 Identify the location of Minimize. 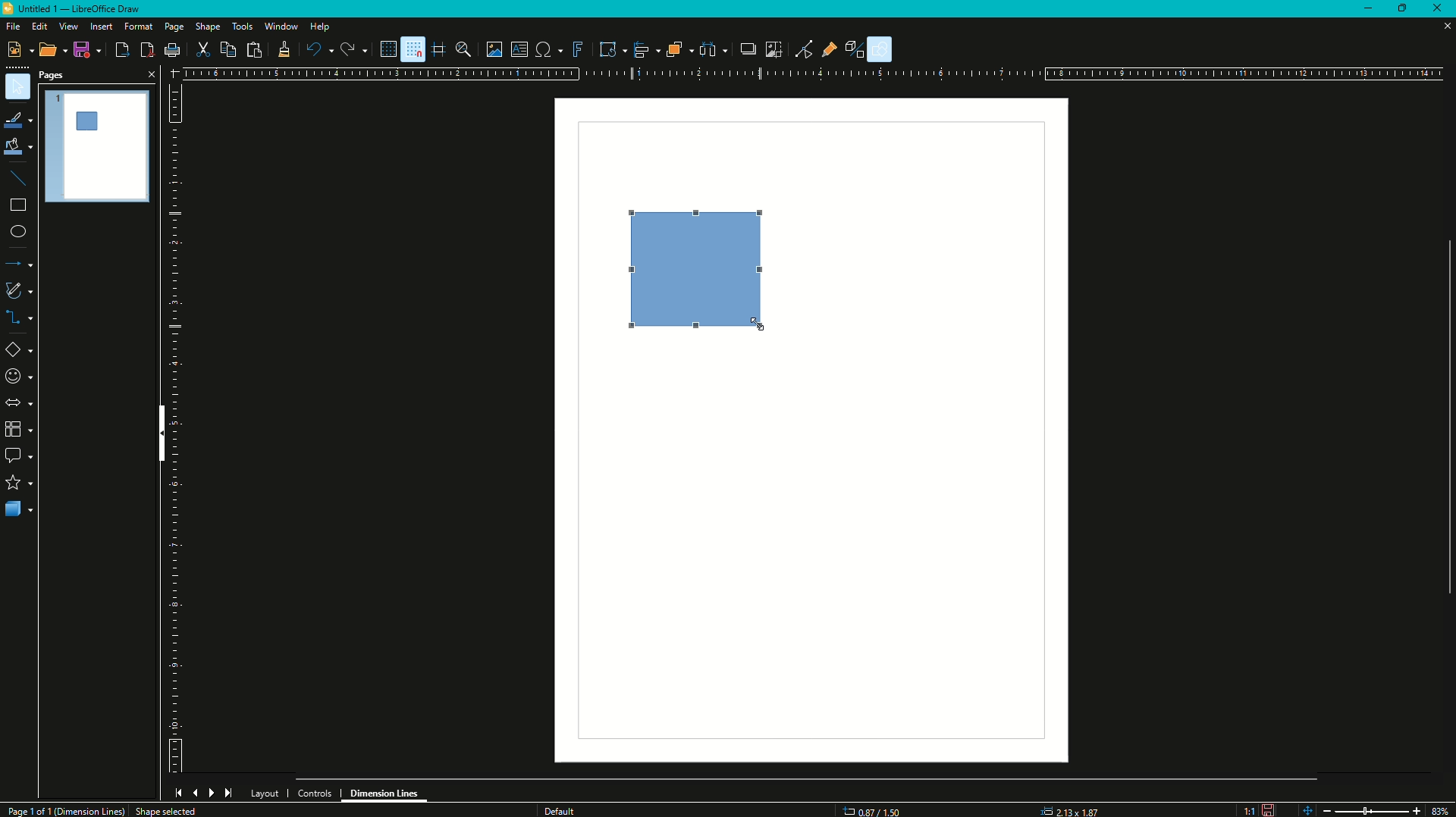
(1367, 9).